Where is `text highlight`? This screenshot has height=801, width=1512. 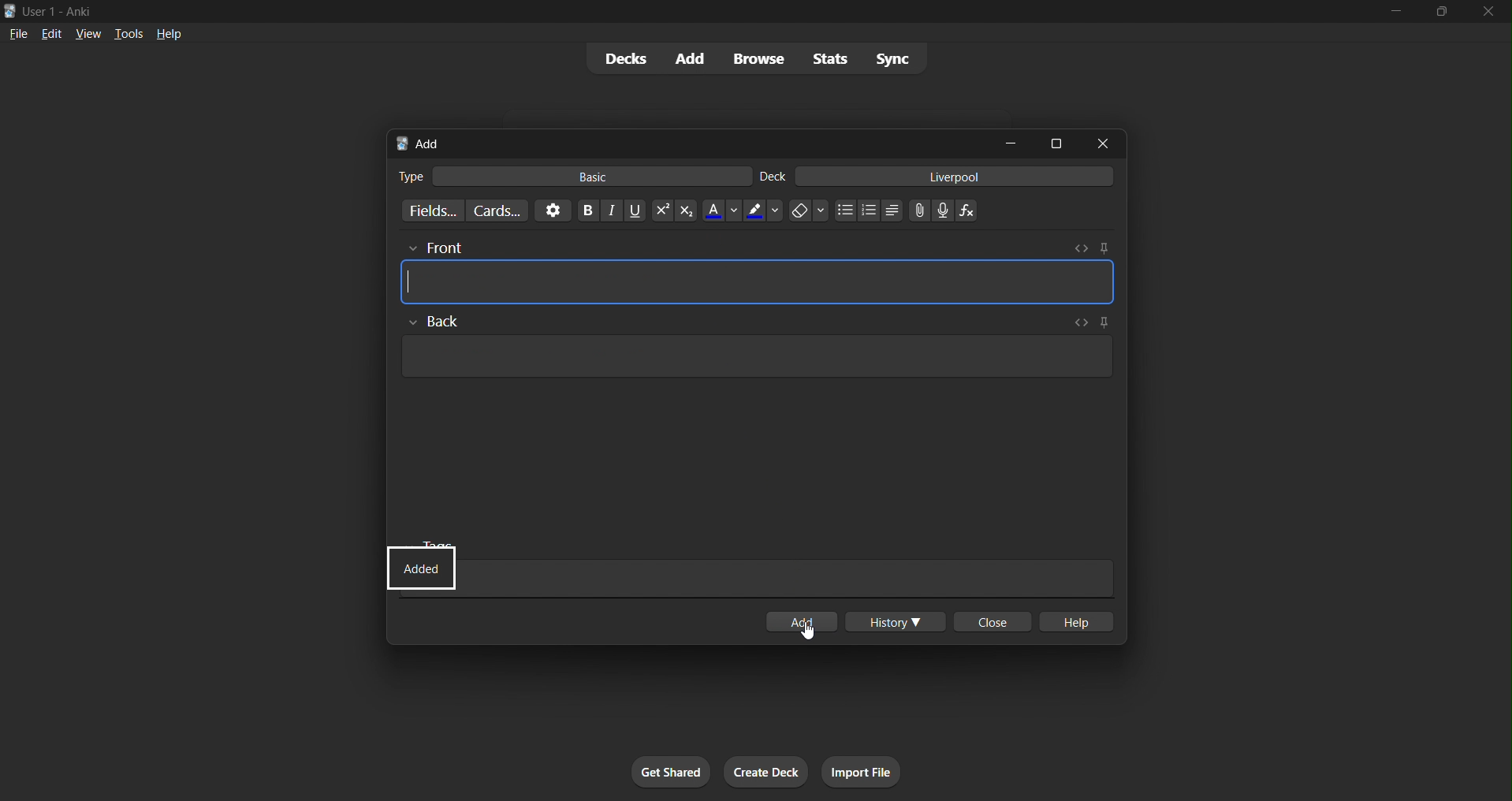
text highlight is located at coordinates (762, 211).